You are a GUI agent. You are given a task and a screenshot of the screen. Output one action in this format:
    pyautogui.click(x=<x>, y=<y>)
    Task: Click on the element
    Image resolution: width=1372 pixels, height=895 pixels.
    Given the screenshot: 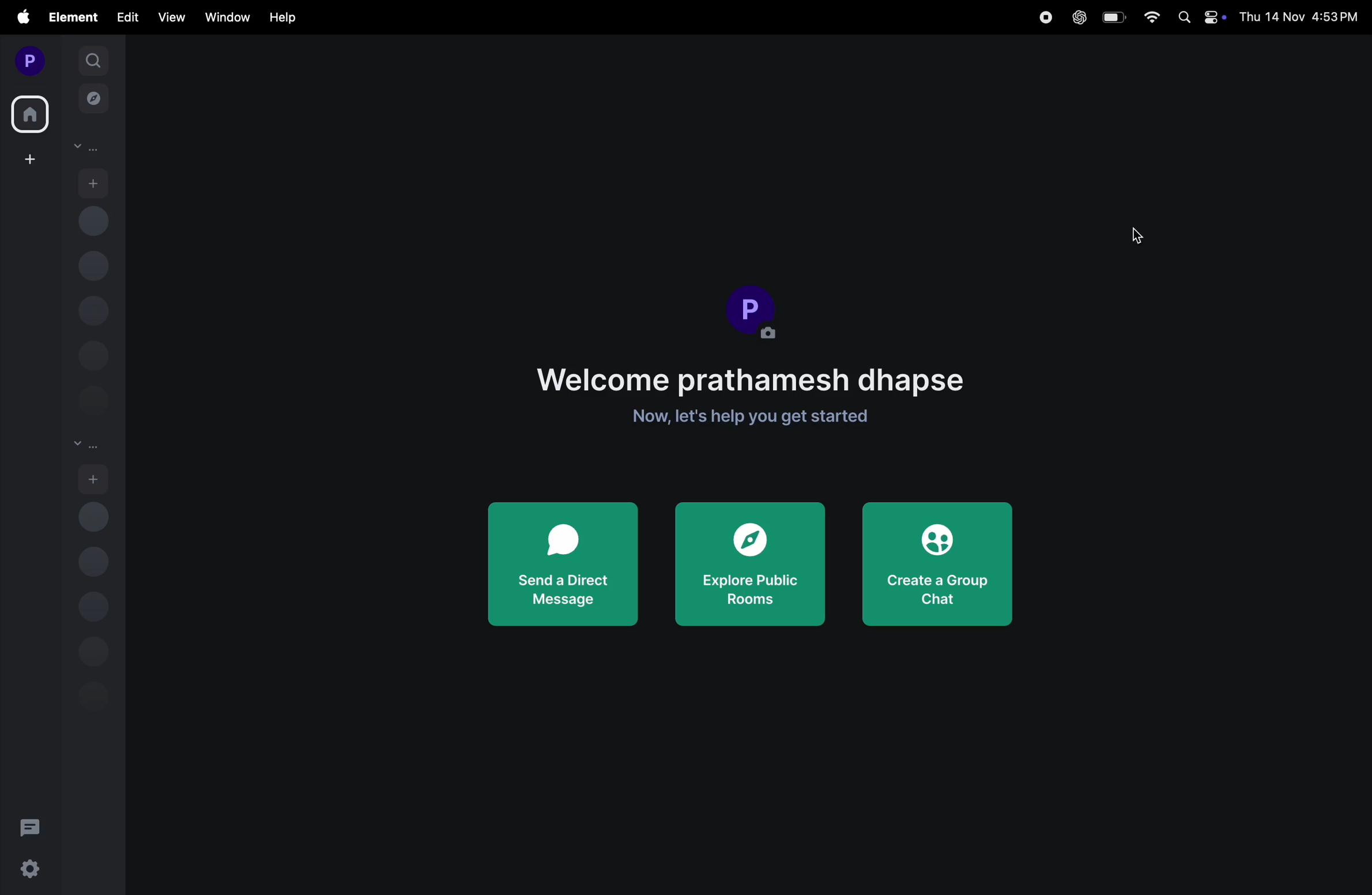 What is the action you would take?
    pyautogui.click(x=71, y=17)
    